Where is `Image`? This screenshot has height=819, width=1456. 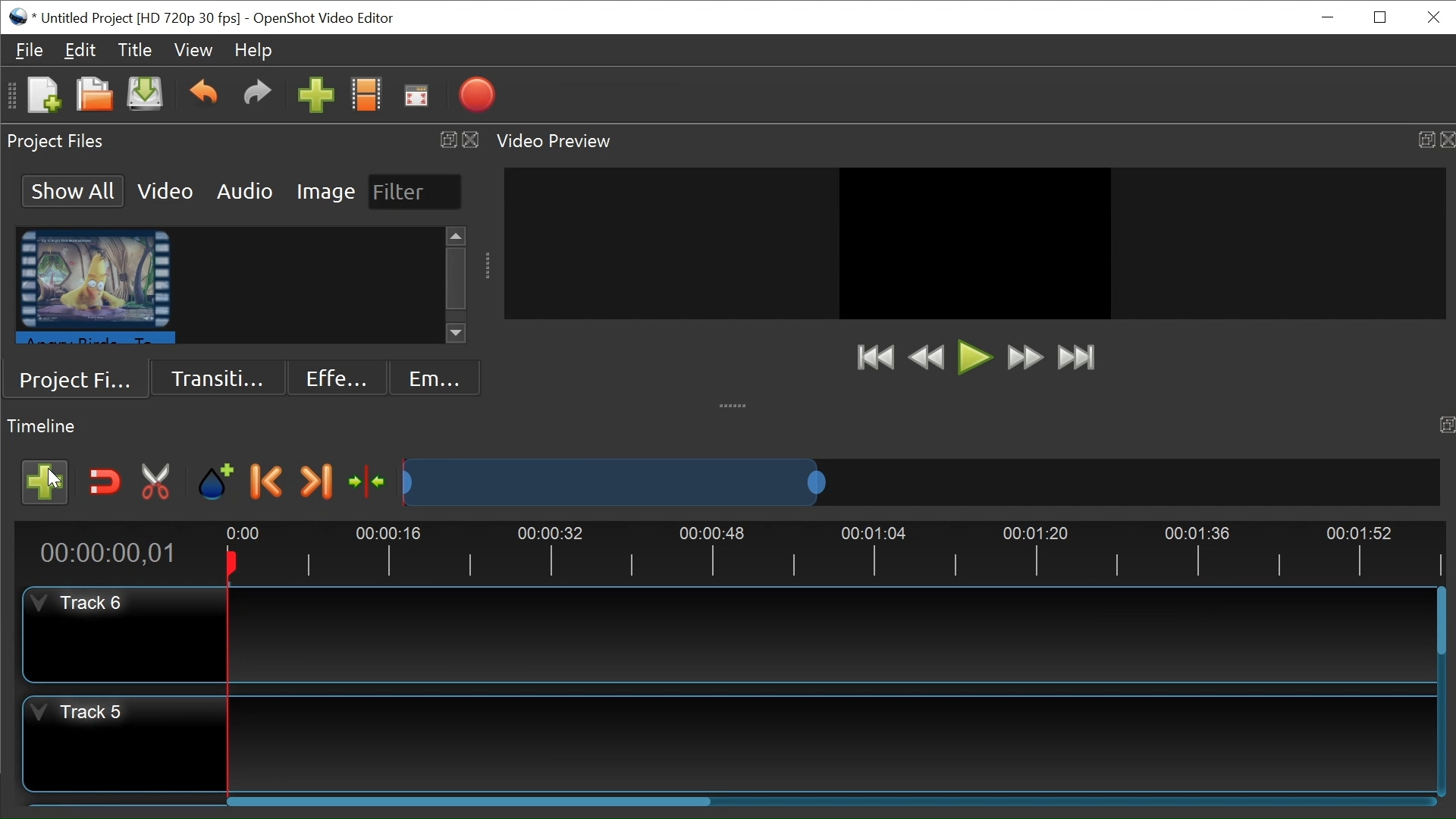 Image is located at coordinates (322, 190).